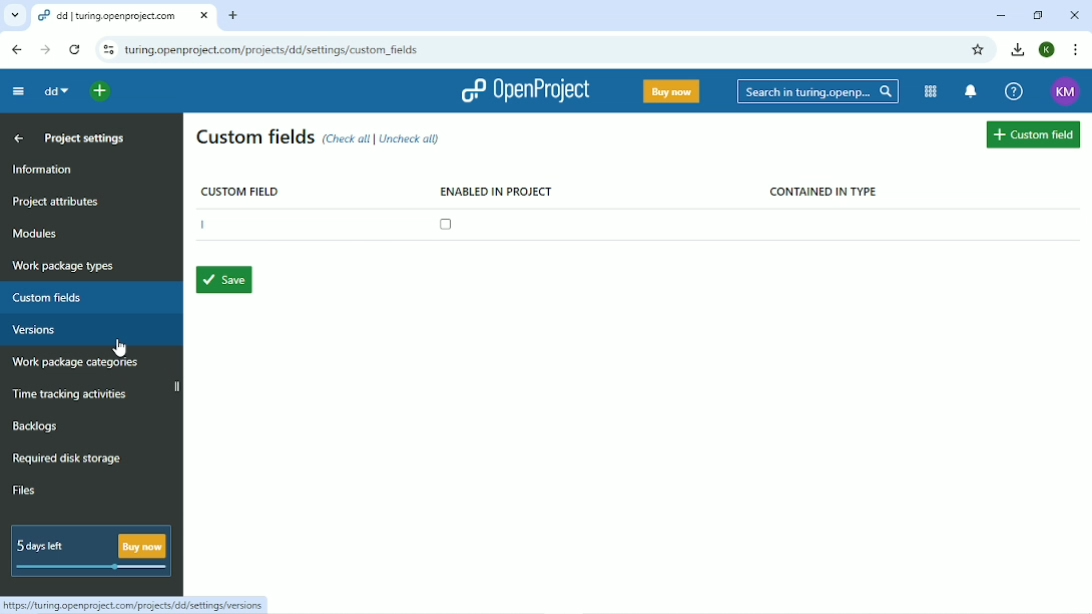 The height and width of the screenshot is (614, 1092). I want to click on Required disk storage, so click(67, 459).